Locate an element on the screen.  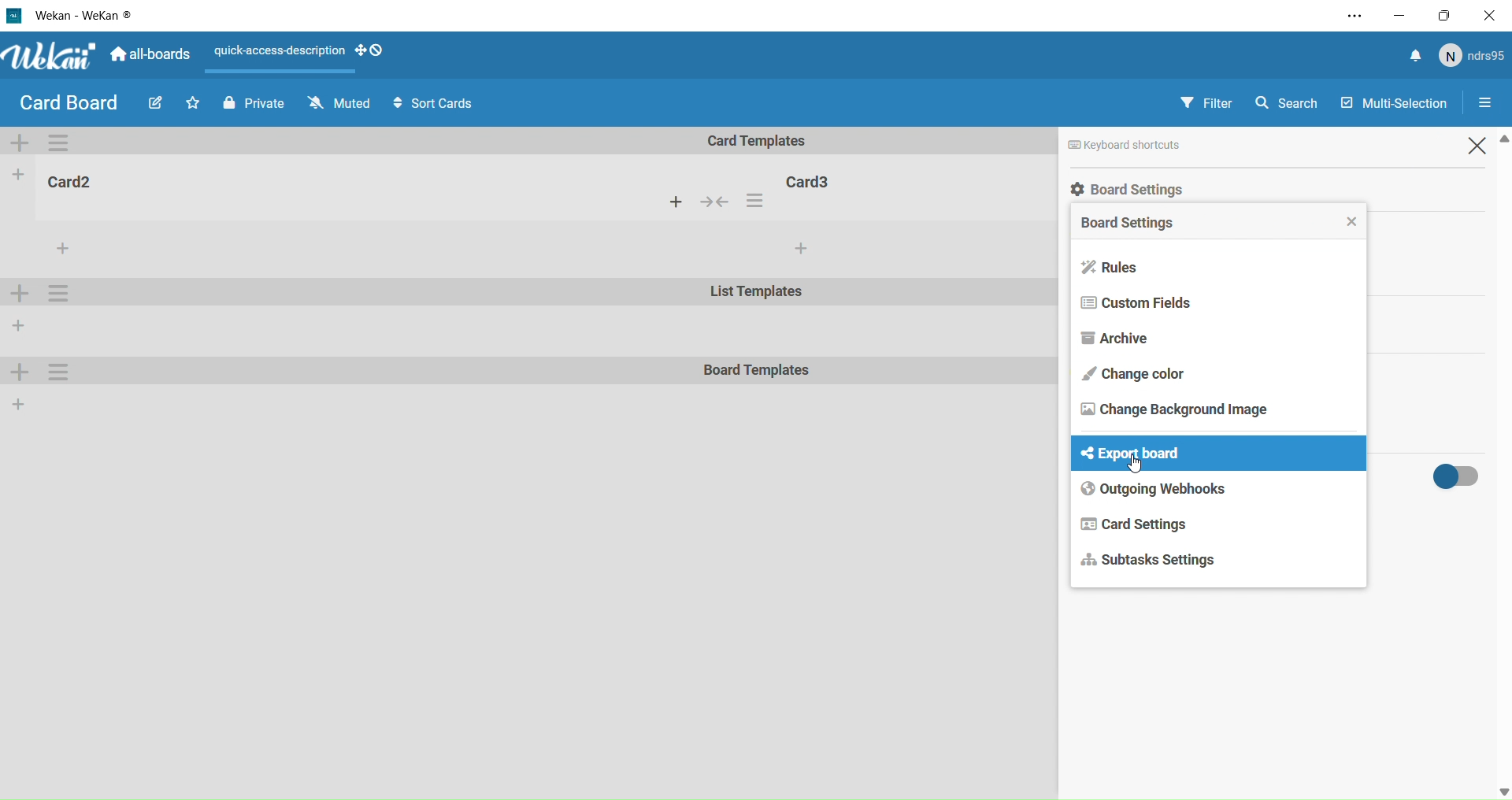
Settings is located at coordinates (1492, 104).